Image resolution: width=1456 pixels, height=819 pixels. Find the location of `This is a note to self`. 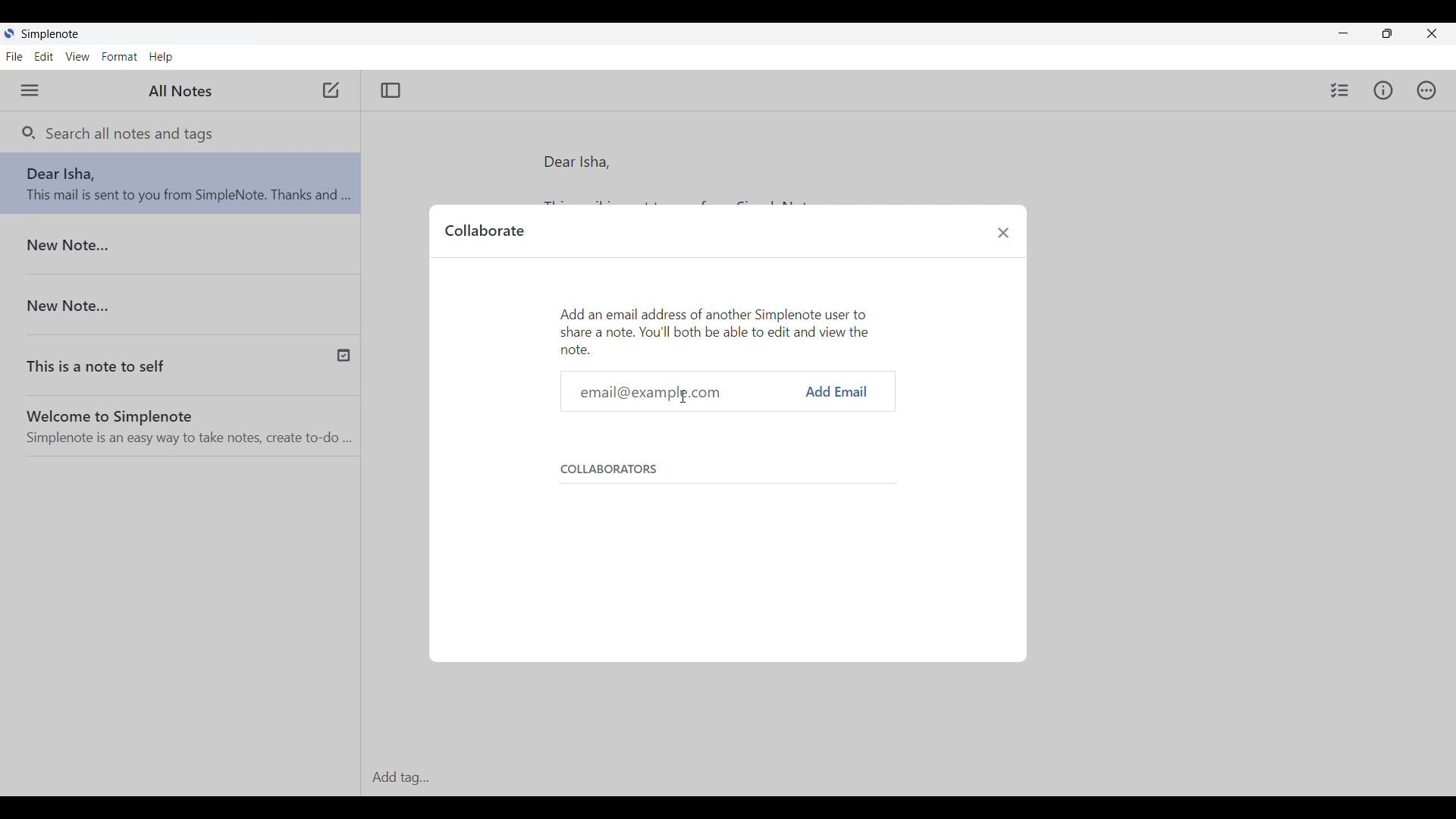

This is a note to self is located at coordinates (131, 361).